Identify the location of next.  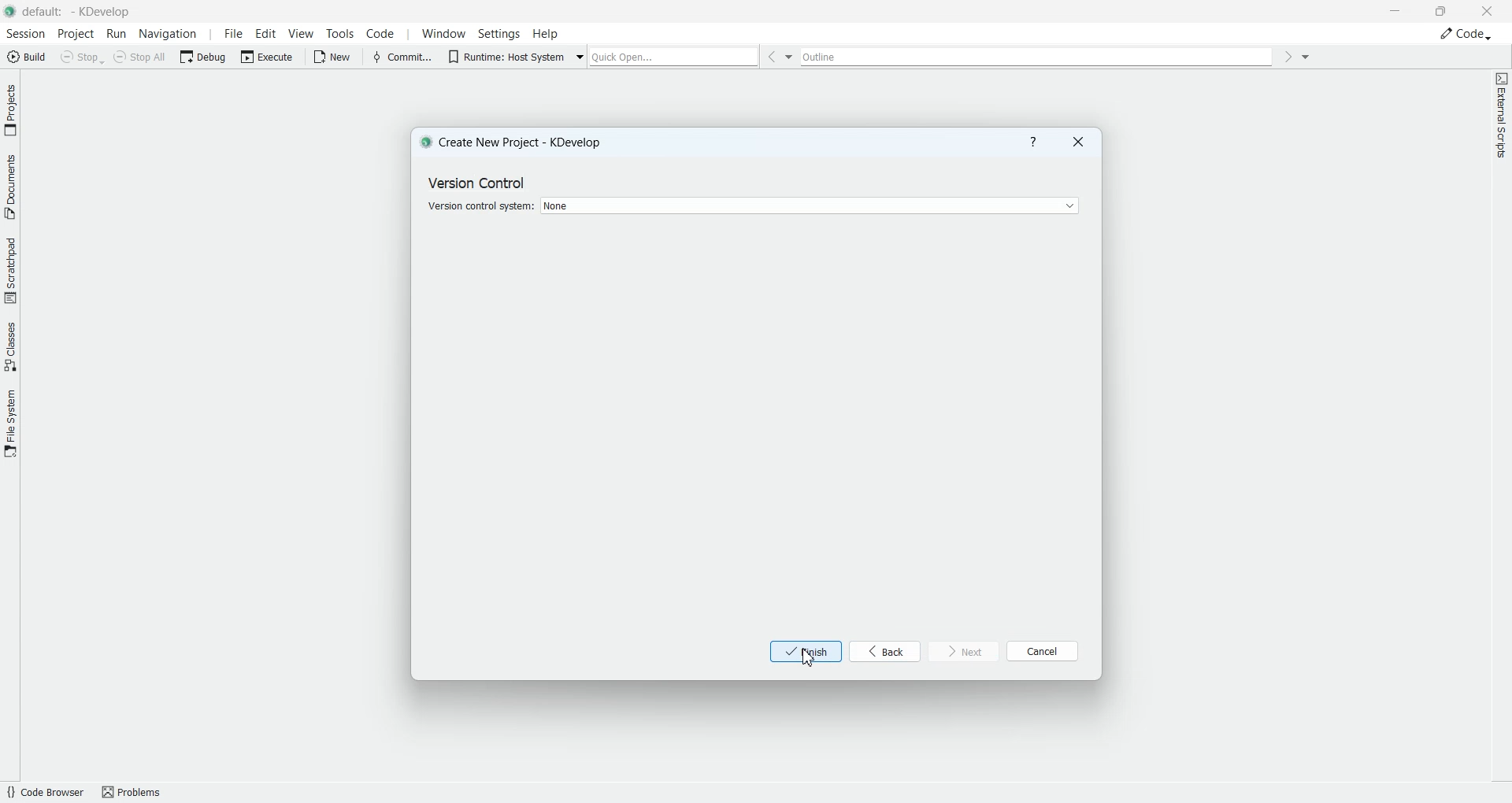
(964, 652).